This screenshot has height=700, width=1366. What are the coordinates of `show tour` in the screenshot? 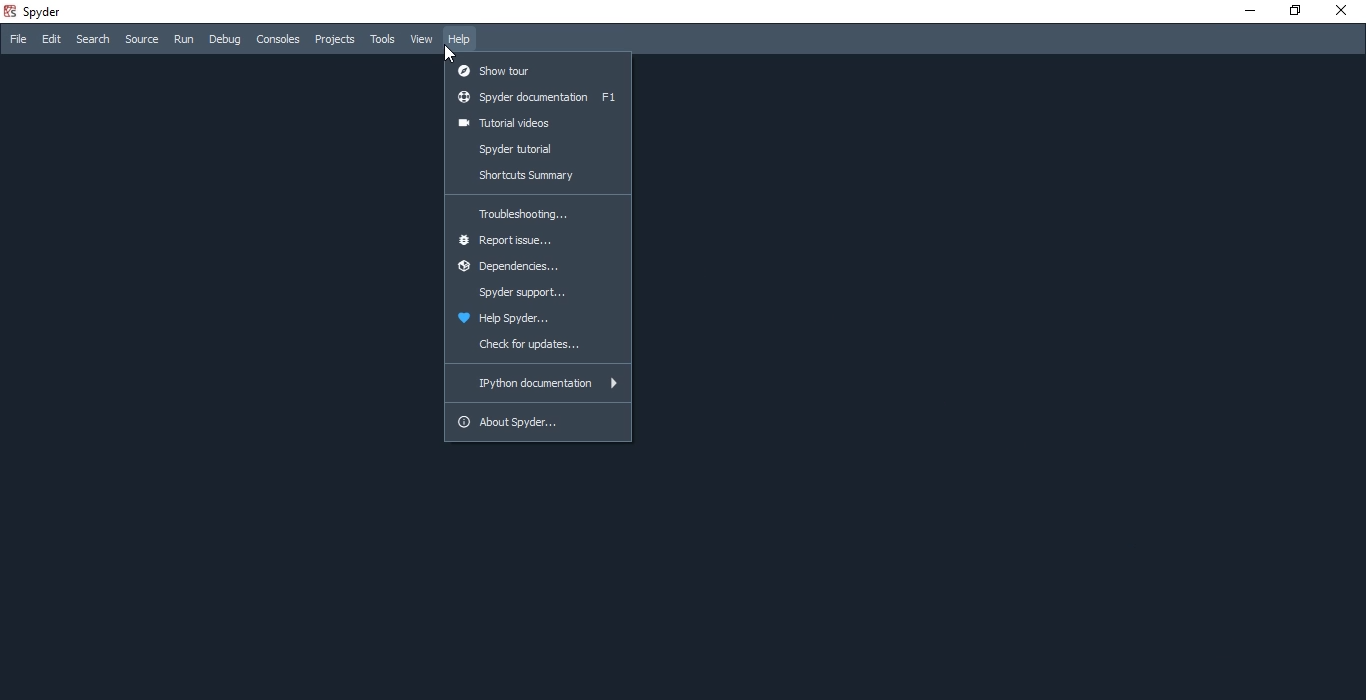 It's located at (538, 66).